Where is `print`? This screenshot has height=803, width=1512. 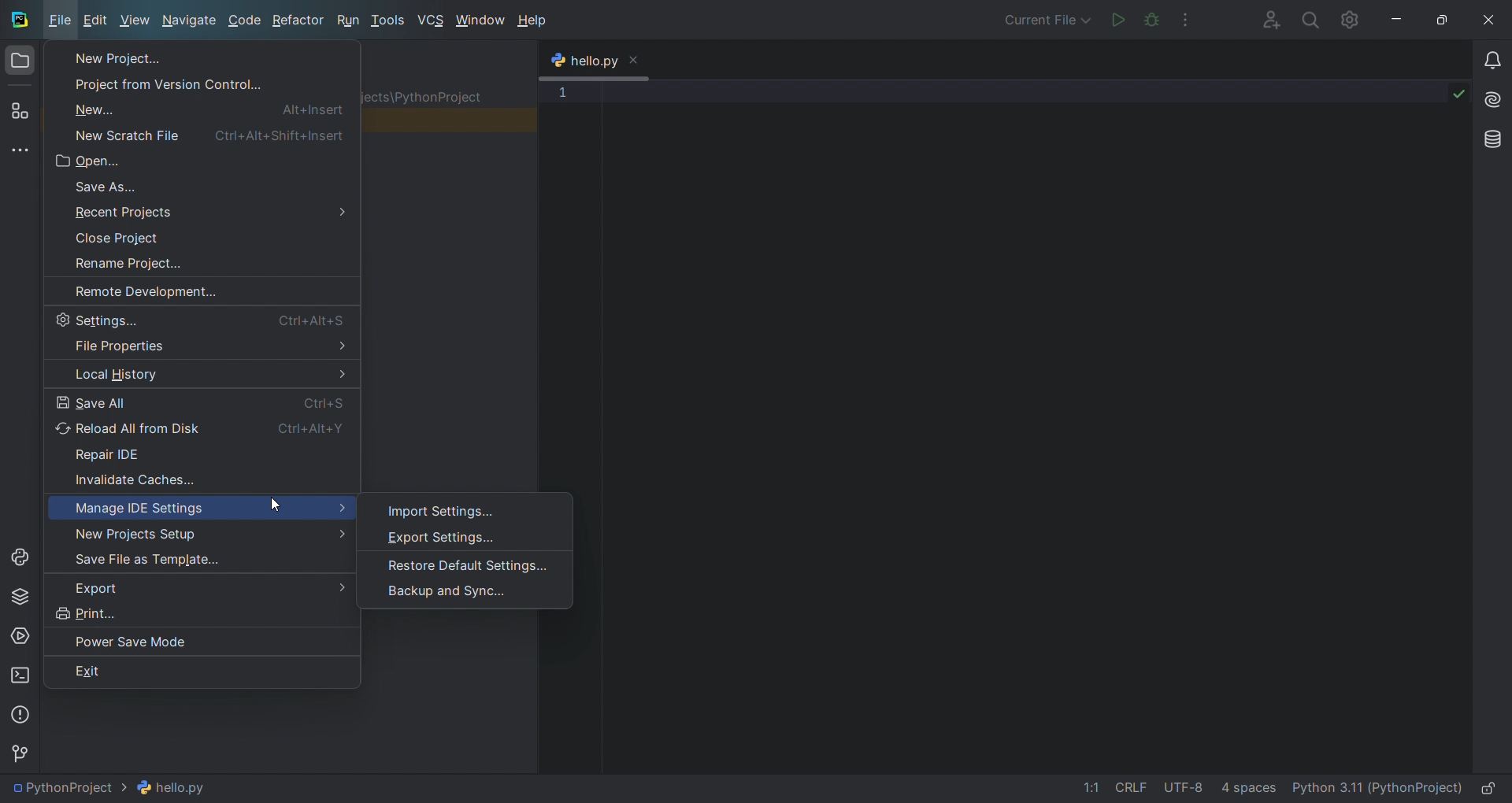
print is located at coordinates (198, 612).